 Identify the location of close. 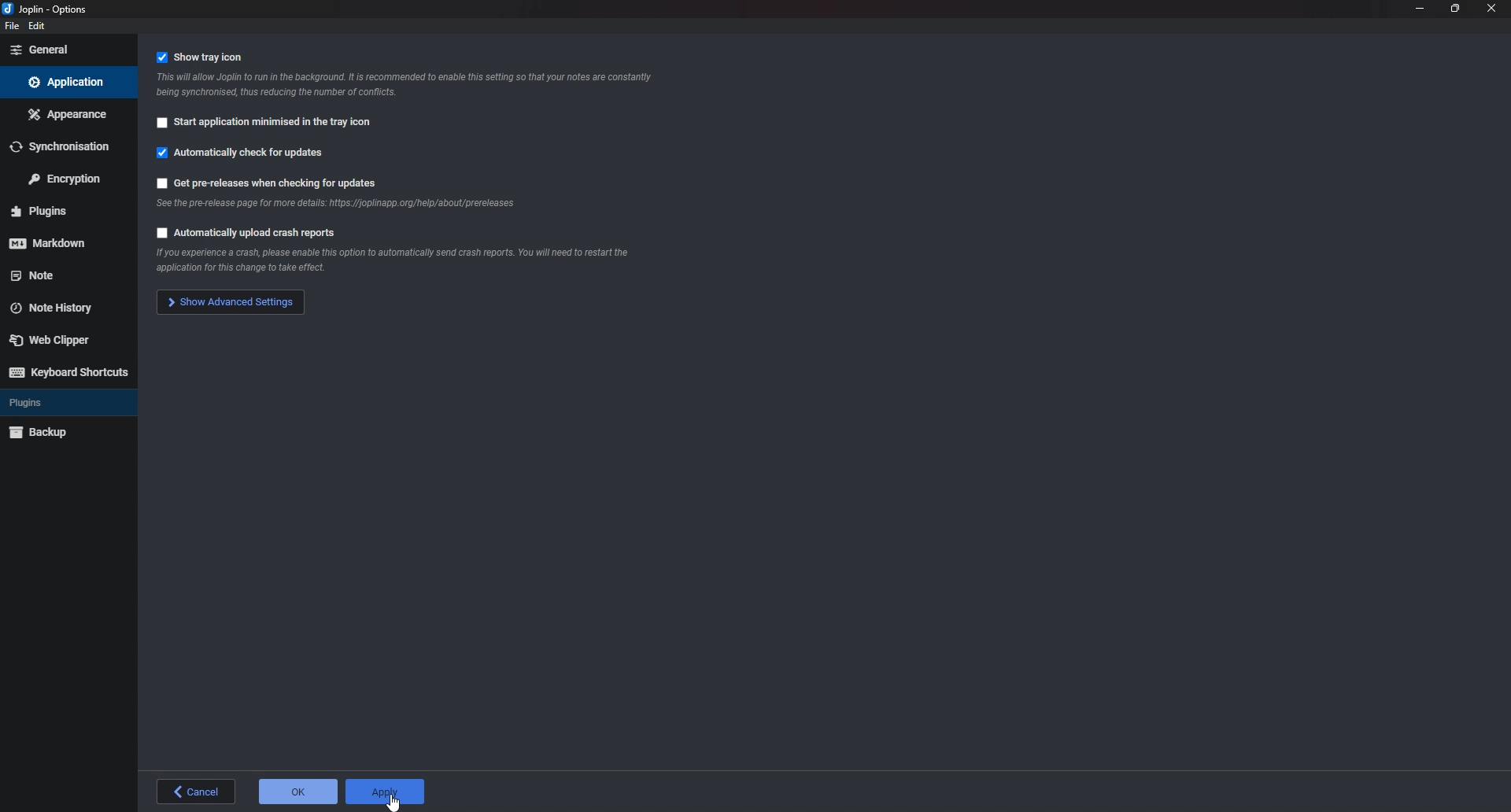
(1491, 9).